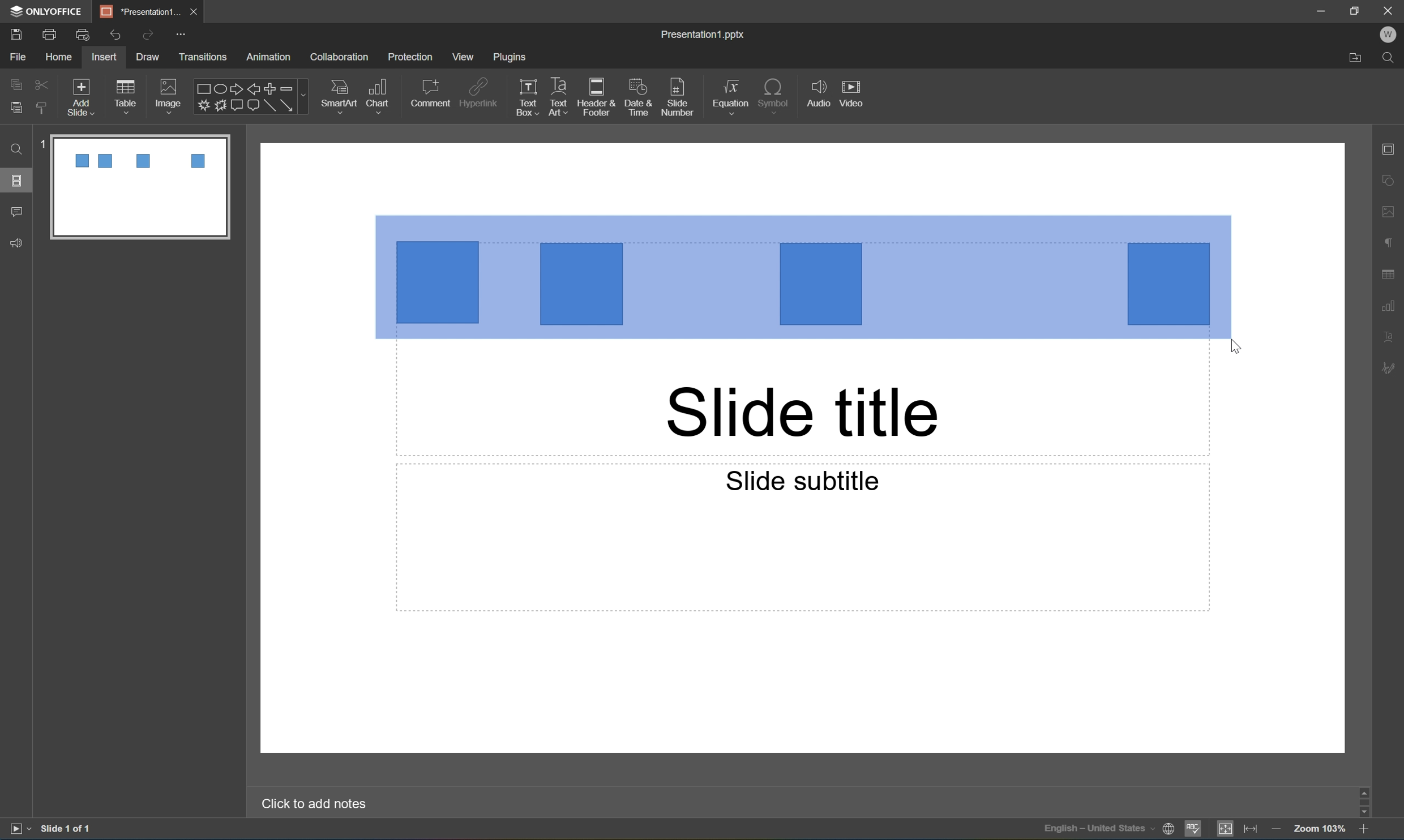 This screenshot has width=1404, height=840. What do you see at coordinates (855, 93) in the screenshot?
I see `video` at bounding box center [855, 93].